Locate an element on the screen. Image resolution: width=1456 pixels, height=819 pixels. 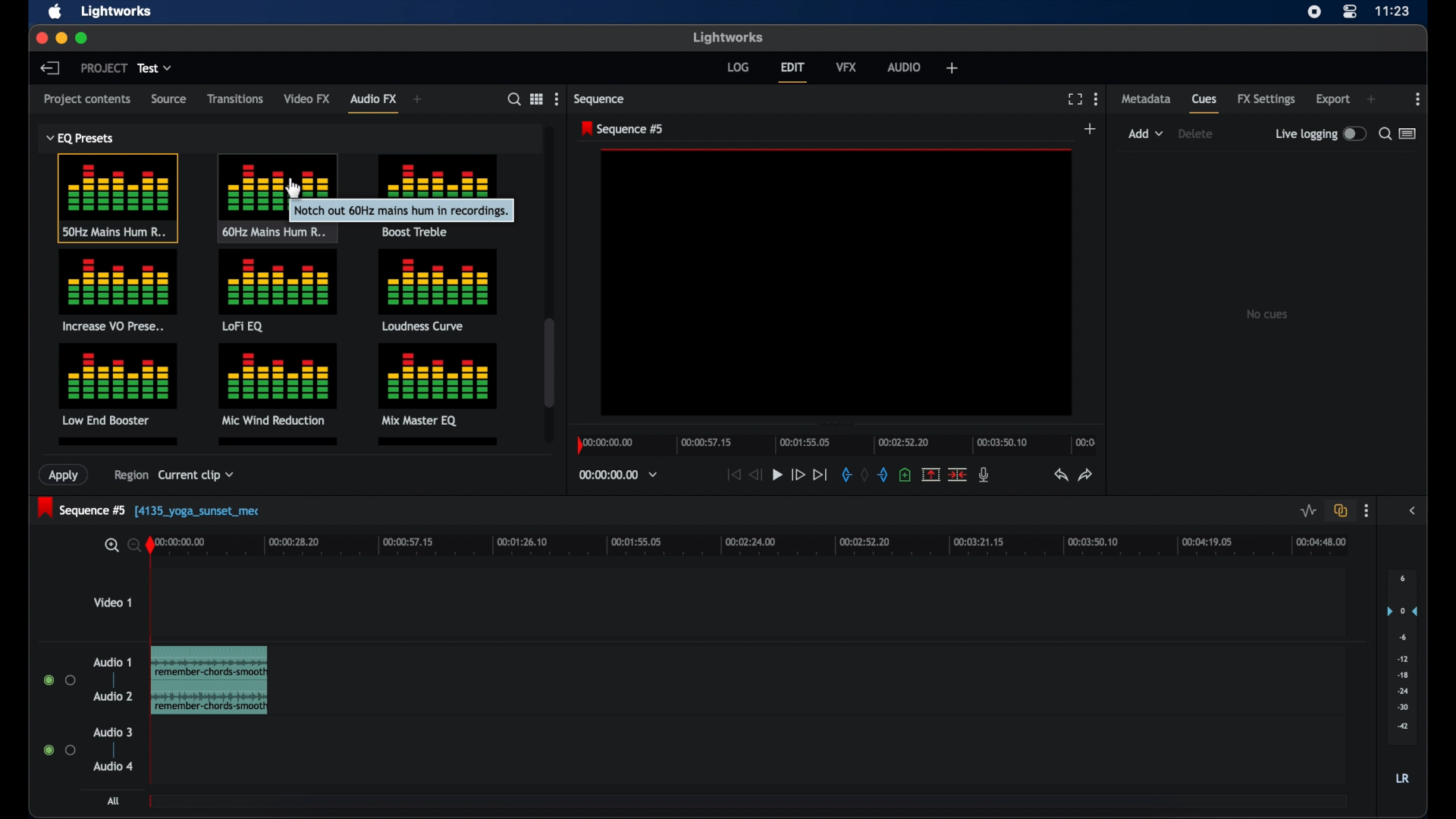
low end booster is located at coordinates (118, 384).